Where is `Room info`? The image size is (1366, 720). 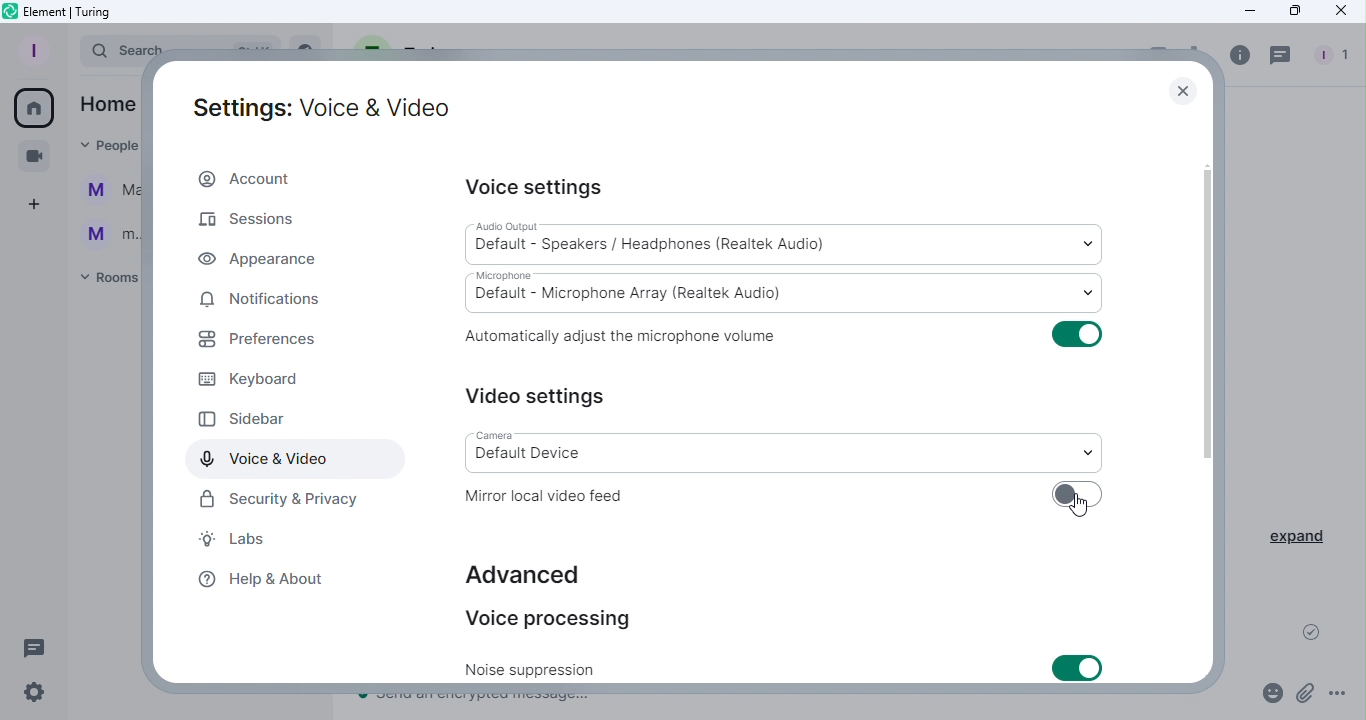 Room info is located at coordinates (1238, 57).